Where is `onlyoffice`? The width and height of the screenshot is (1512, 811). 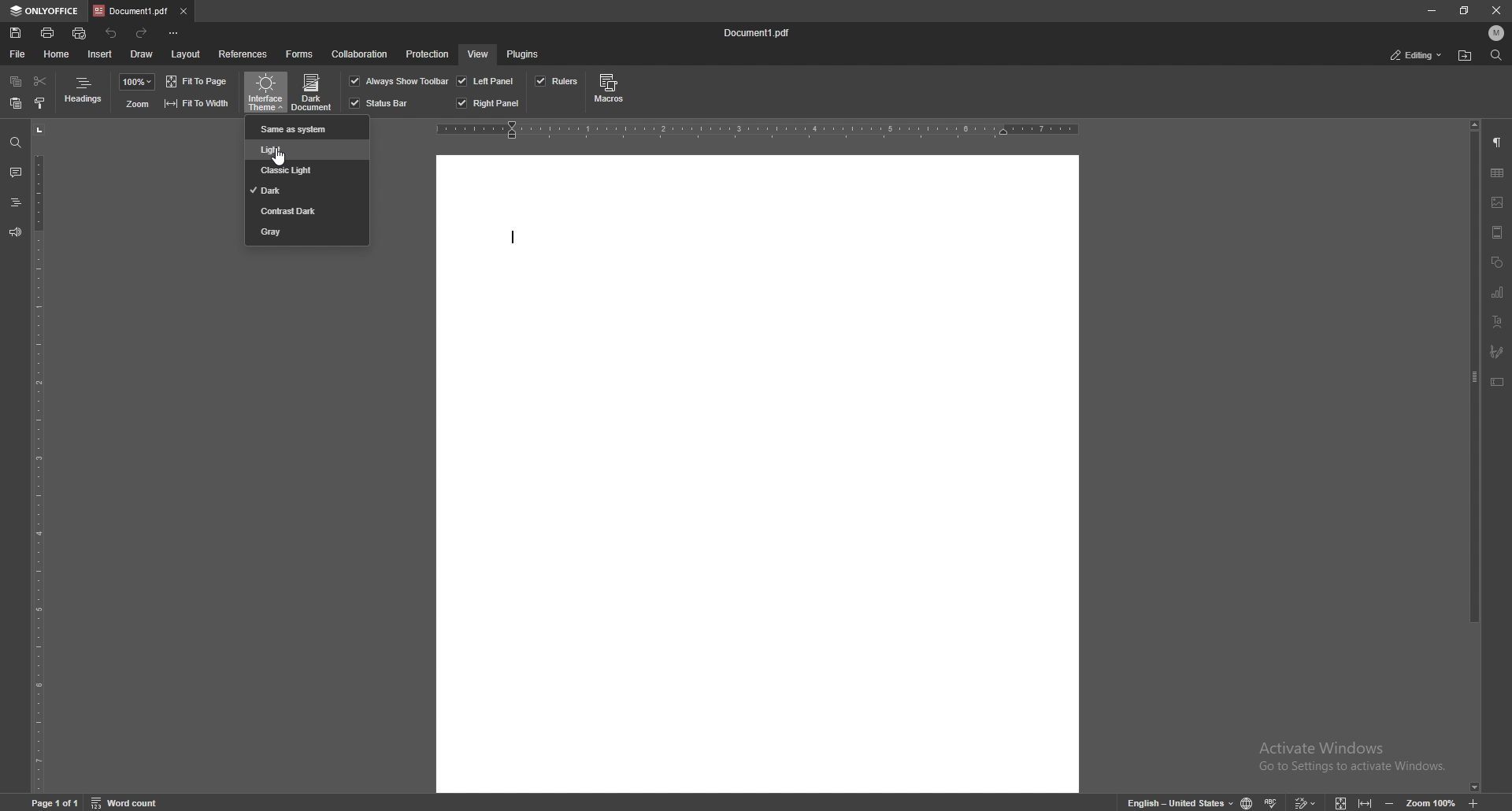 onlyoffice is located at coordinates (44, 10).